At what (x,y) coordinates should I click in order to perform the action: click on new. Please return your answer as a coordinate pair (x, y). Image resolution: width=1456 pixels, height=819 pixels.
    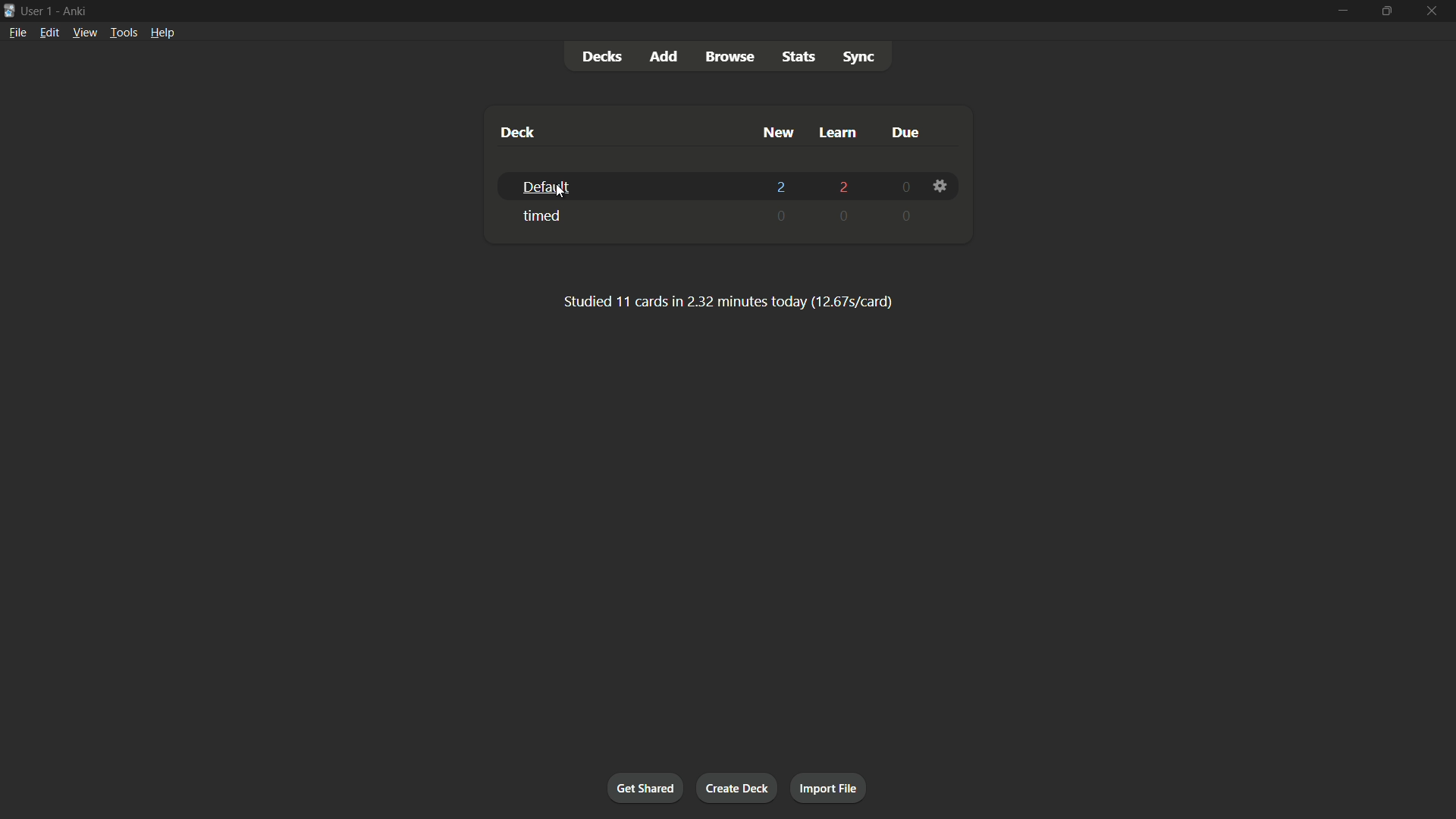
    Looking at the image, I should click on (779, 133).